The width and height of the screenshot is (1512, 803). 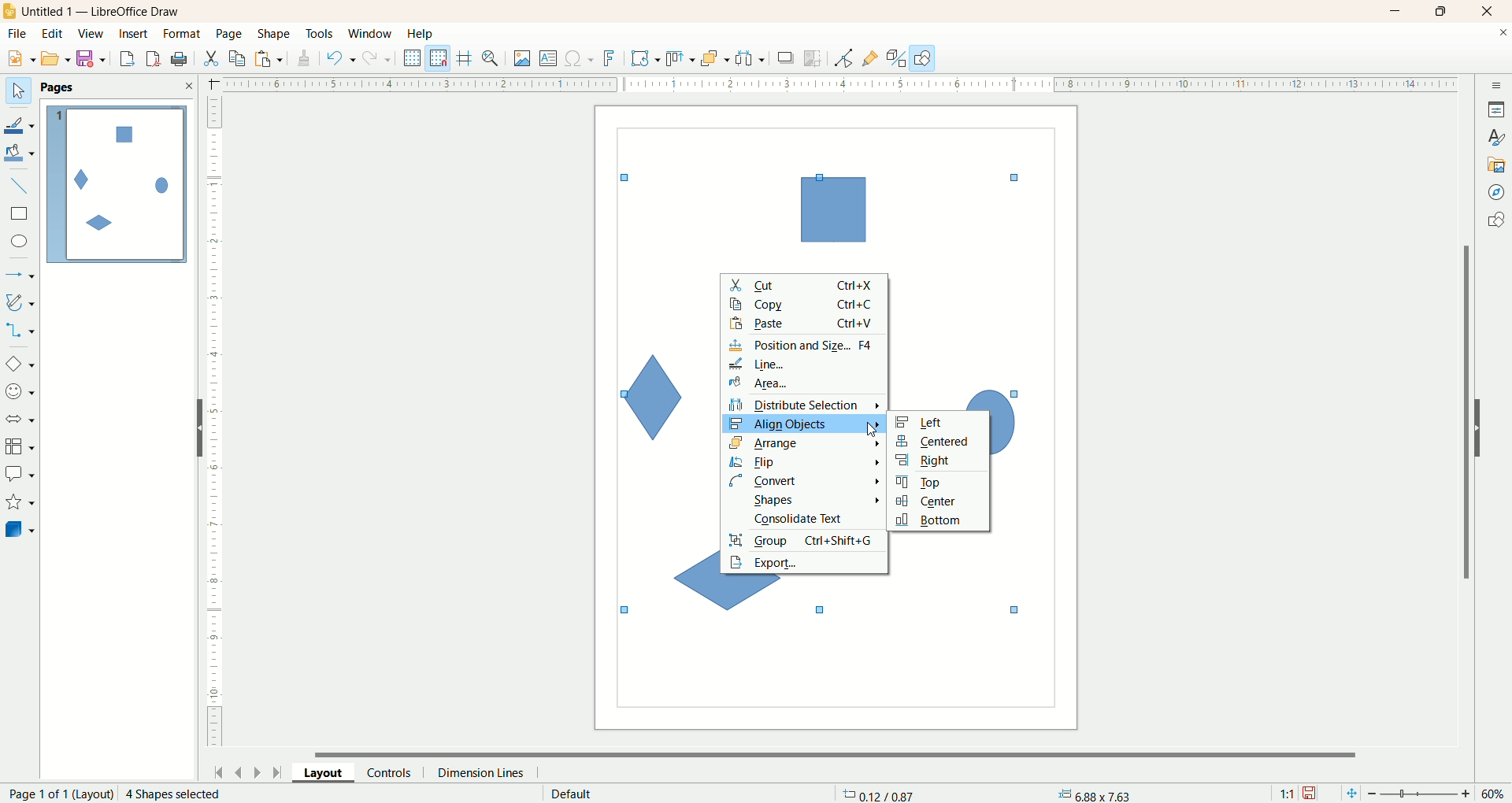 What do you see at coordinates (806, 323) in the screenshot?
I see `paste` at bounding box center [806, 323].